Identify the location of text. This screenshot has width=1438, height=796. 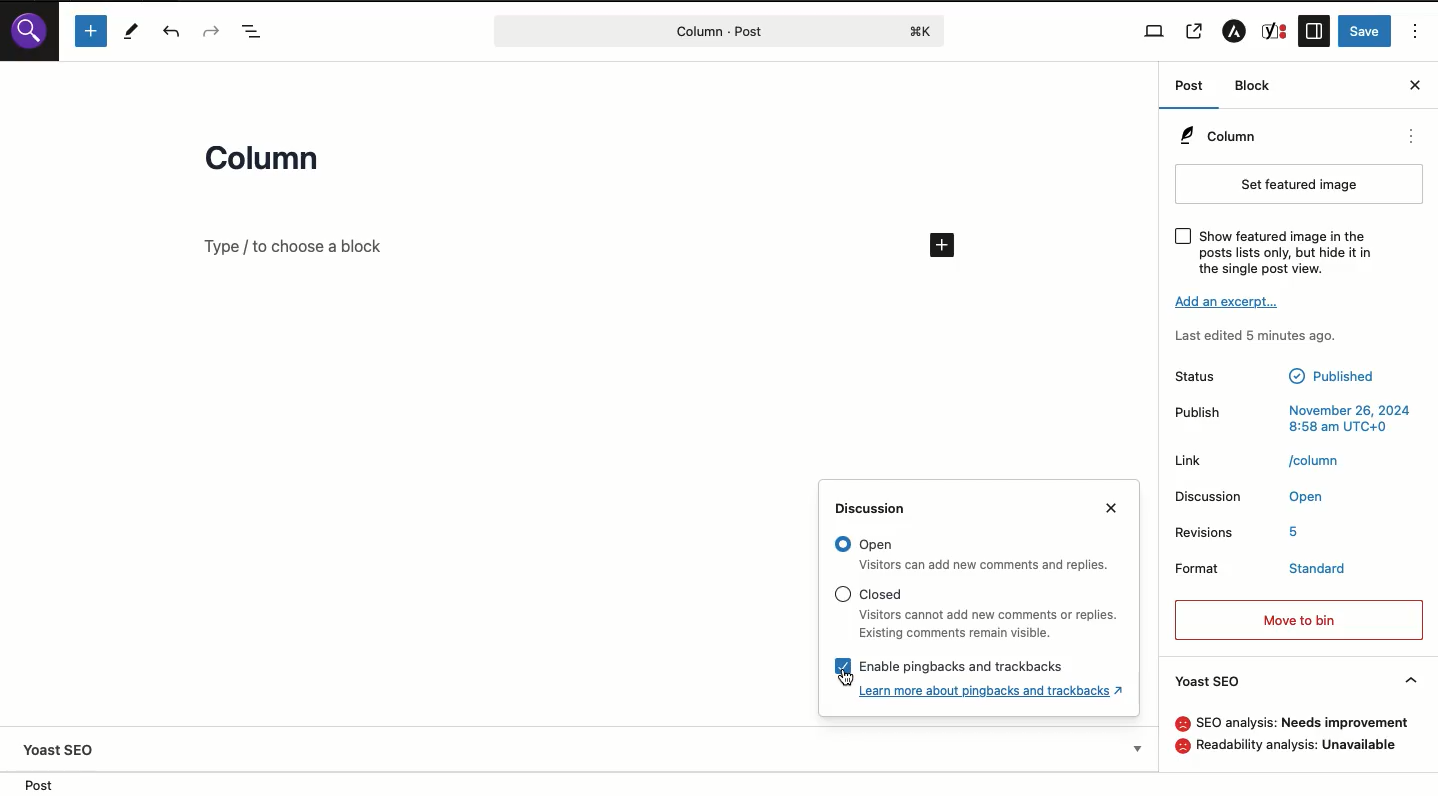
(1286, 251).